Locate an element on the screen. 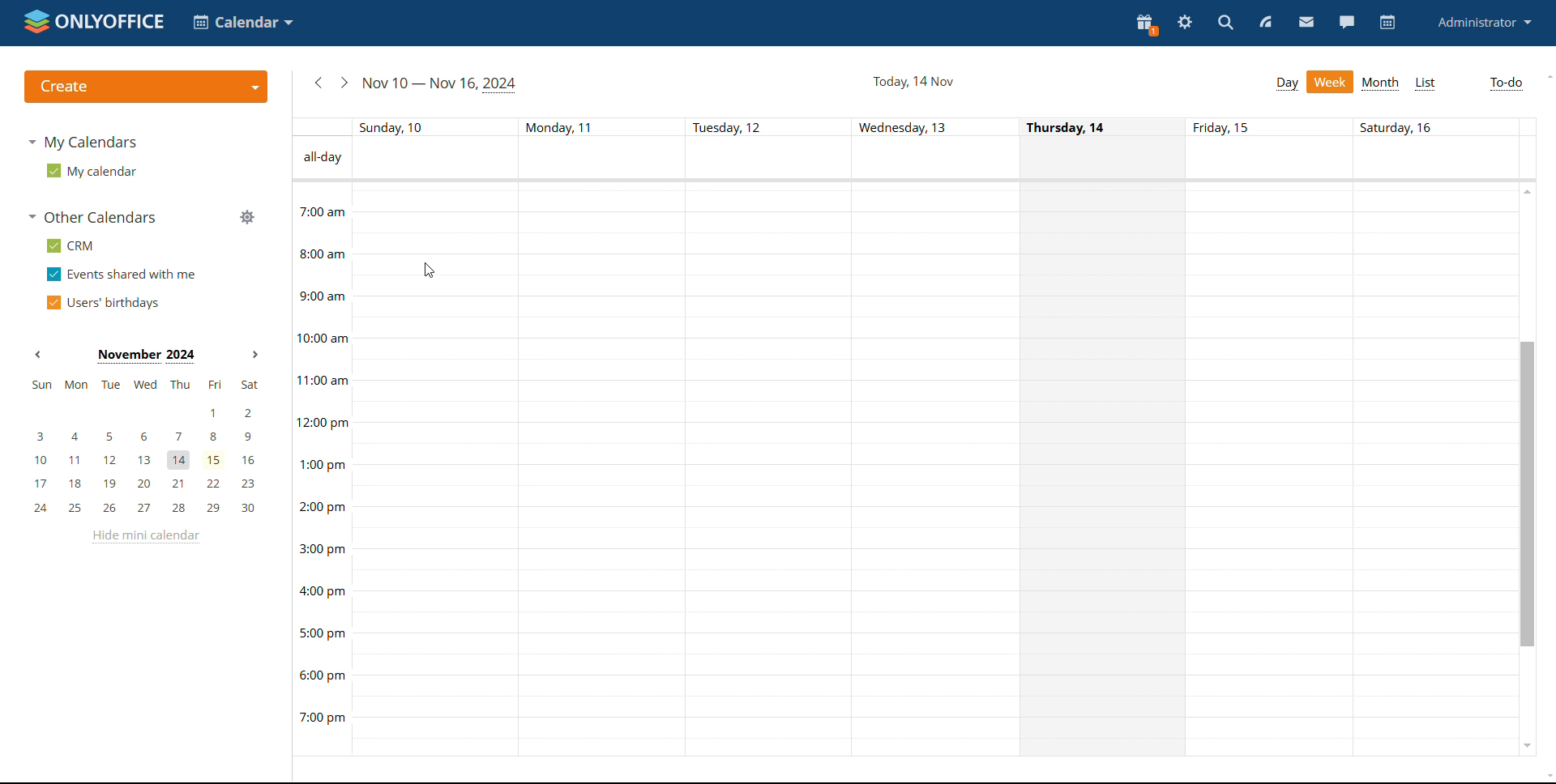 Image resolution: width=1556 pixels, height=784 pixels. current week is located at coordinates (440, 83).